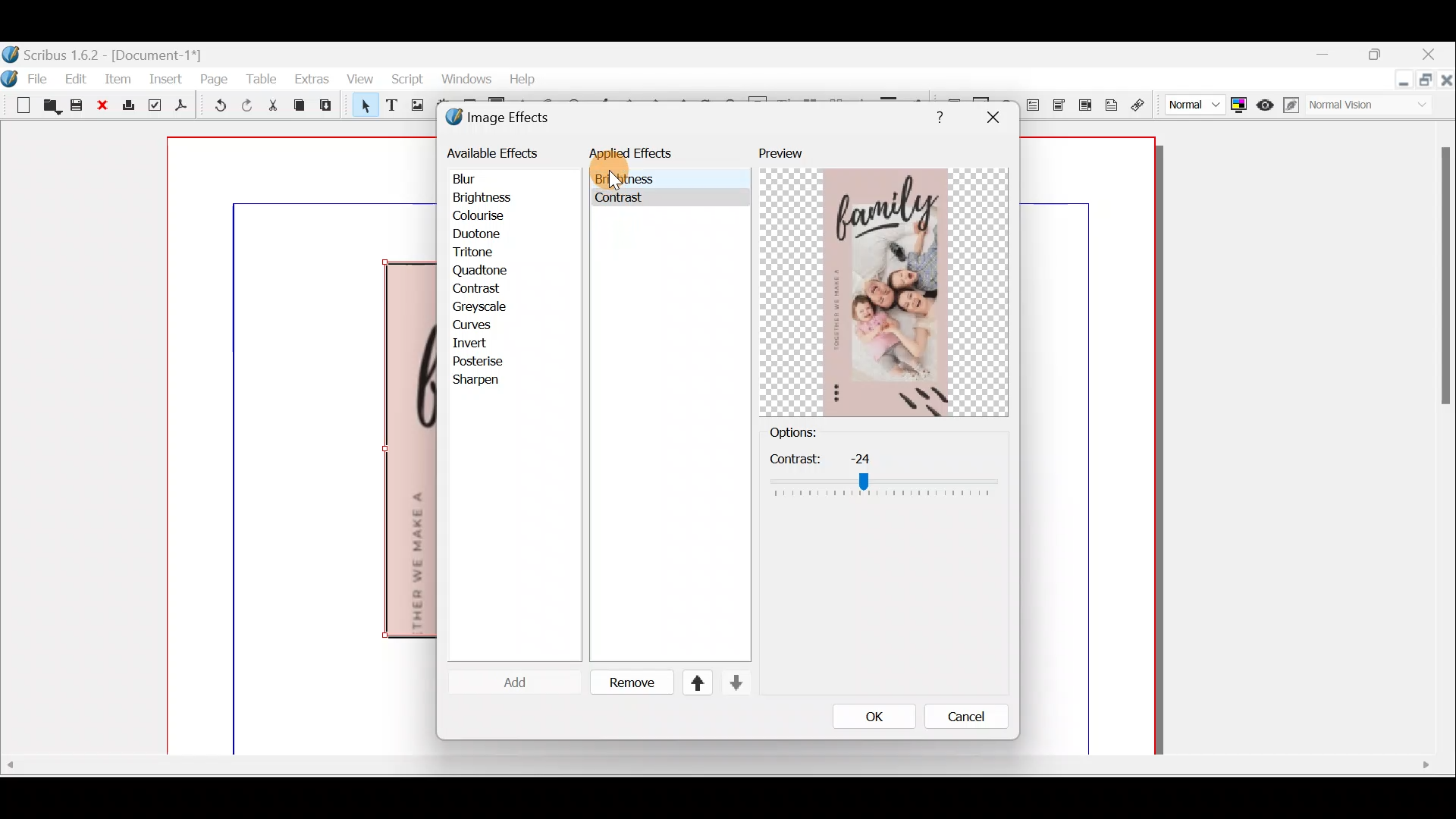  What do you see at coordinates (734, 682) in the screenshot?
I see `Move down` at bounding box center [734, 682].